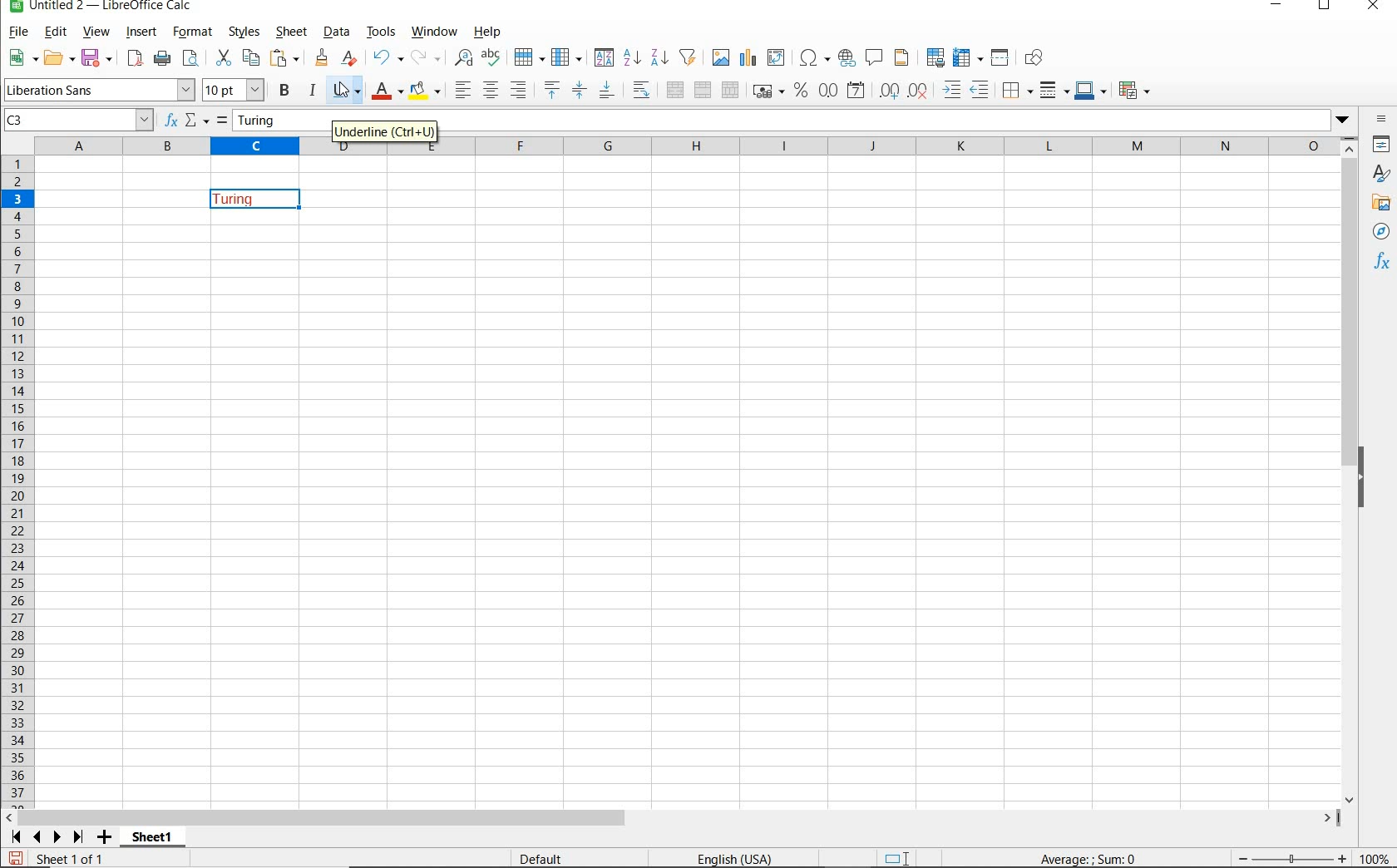 This screenshot has width=1397, height=868. What do you see at coordinates (387, 91) in the screenshot?
I see `FONT COLOR` at bounding box center [387, 91].